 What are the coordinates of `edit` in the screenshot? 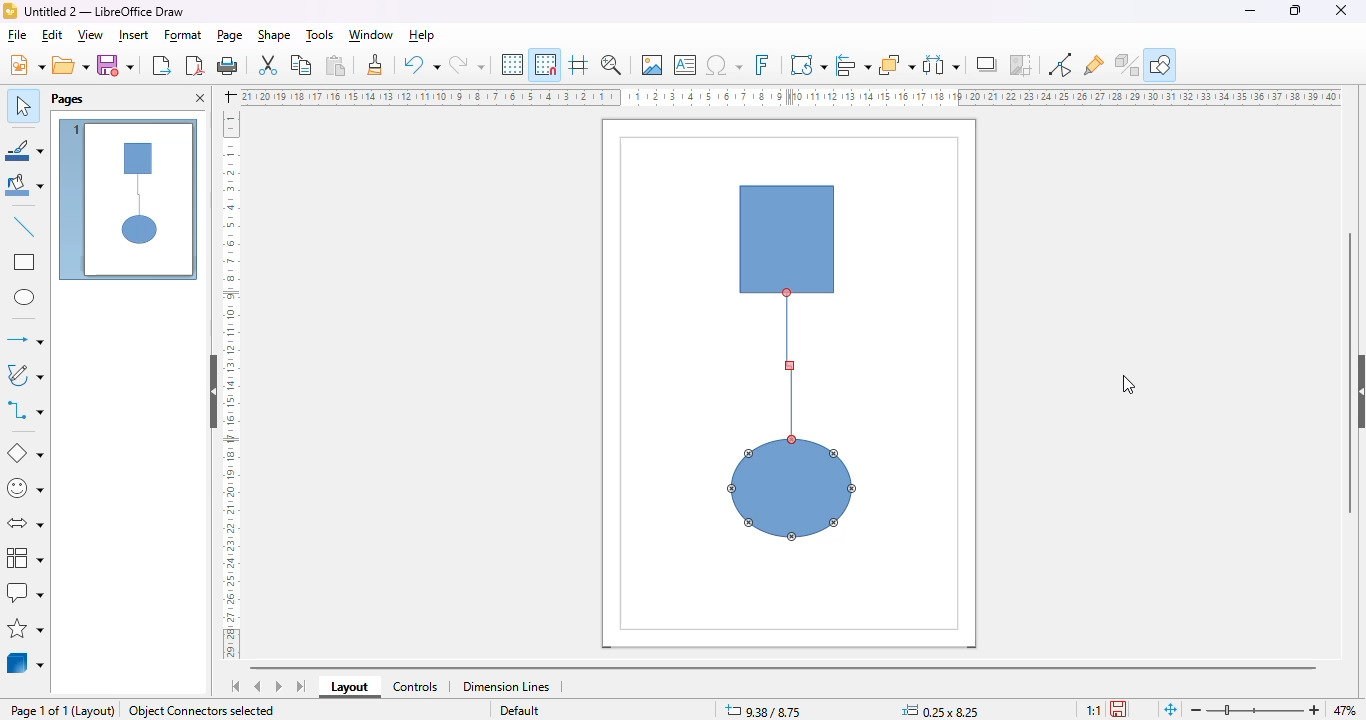 It's located at (53, 36).